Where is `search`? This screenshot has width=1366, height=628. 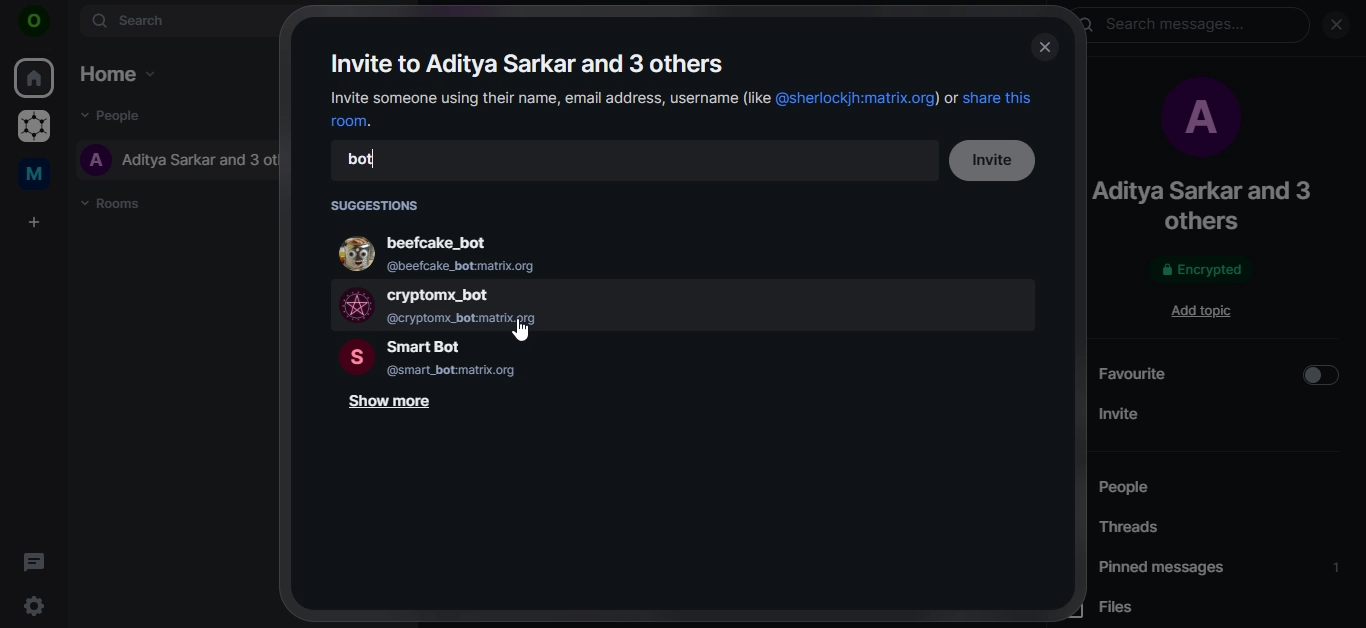
search is located at coordinates (176, 21).